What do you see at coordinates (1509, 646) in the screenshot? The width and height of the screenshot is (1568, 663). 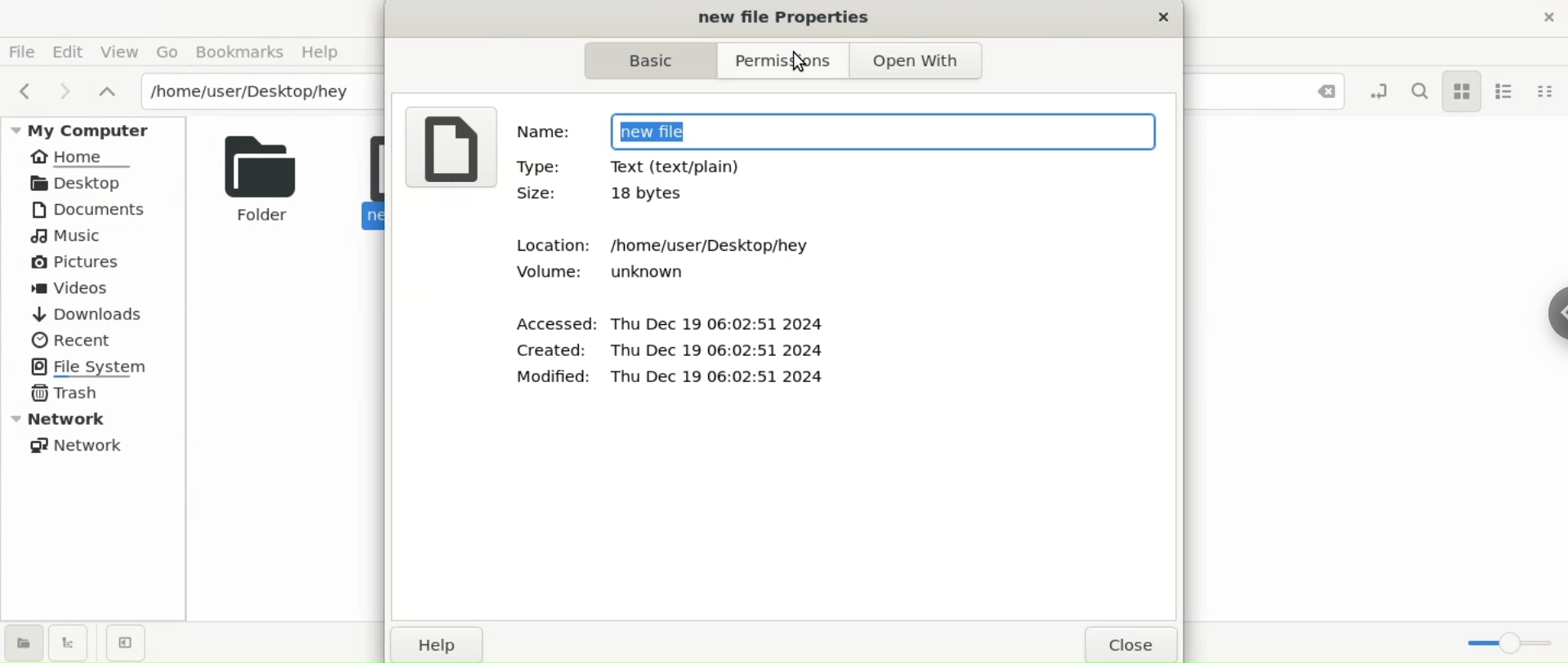 I see `zoom` at bounding box center [1509, 646].